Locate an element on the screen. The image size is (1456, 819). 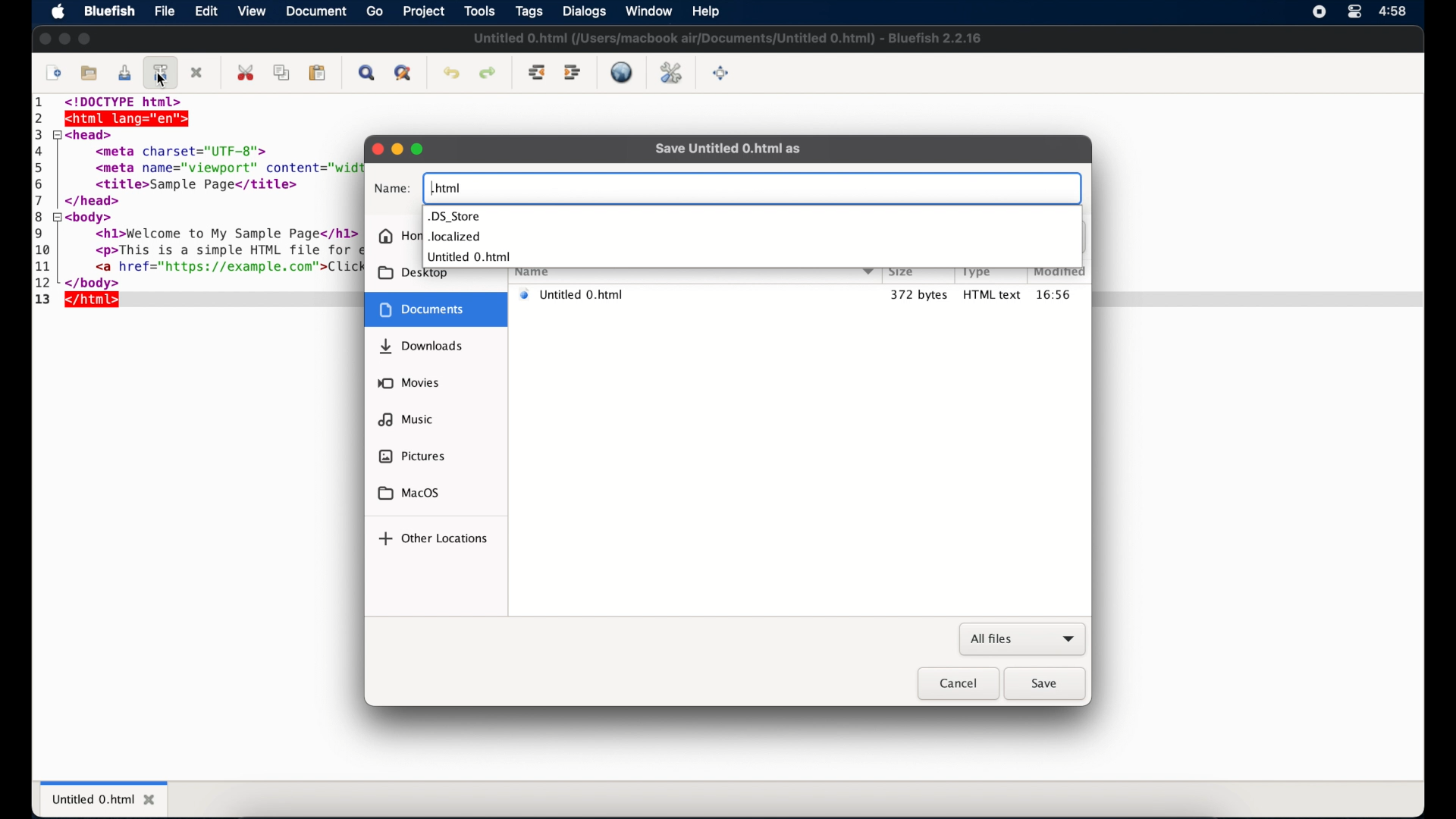
window is located at coordinates (649, 11).